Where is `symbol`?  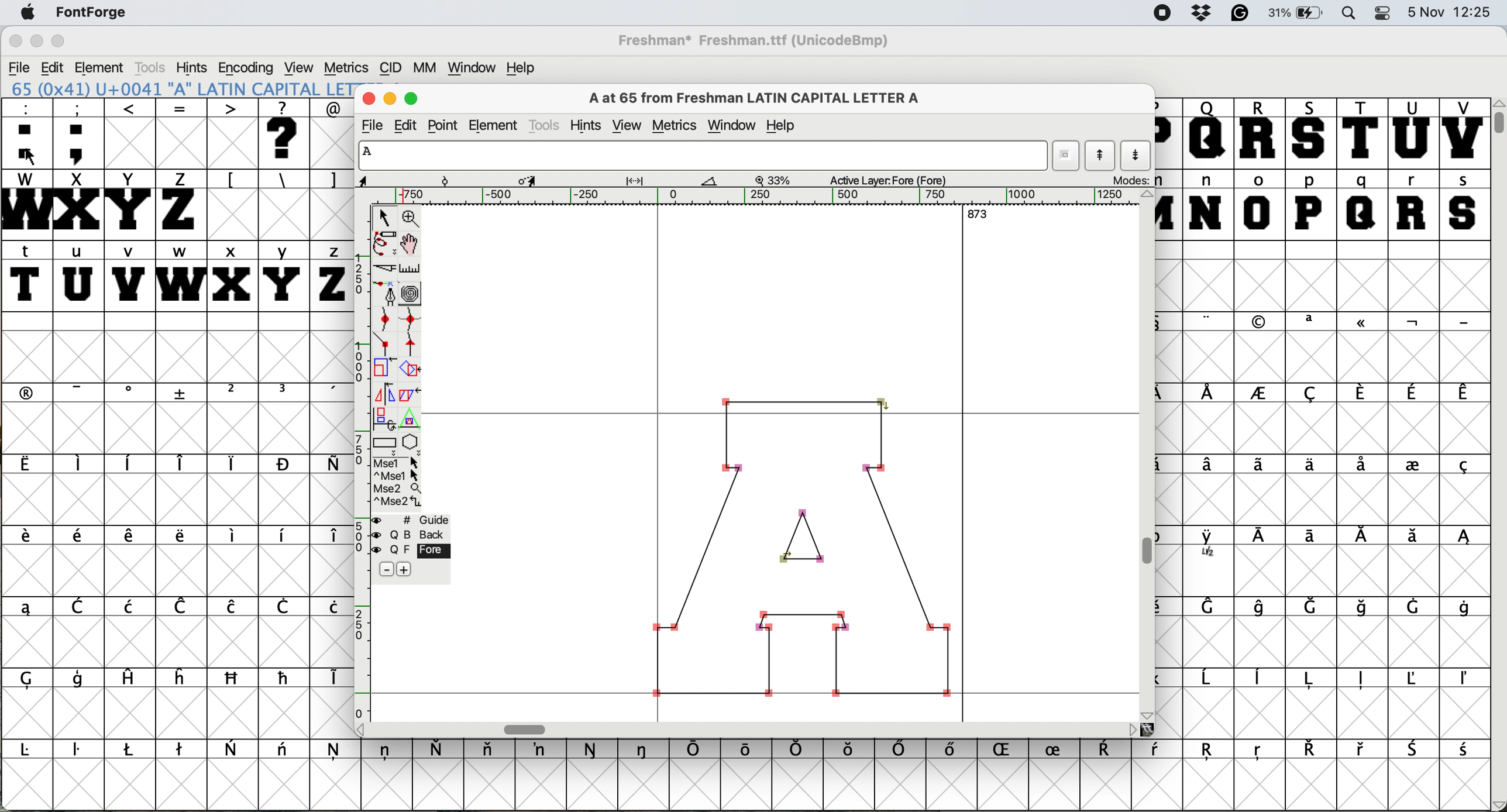
symbol is located at coordinates (285, 677).